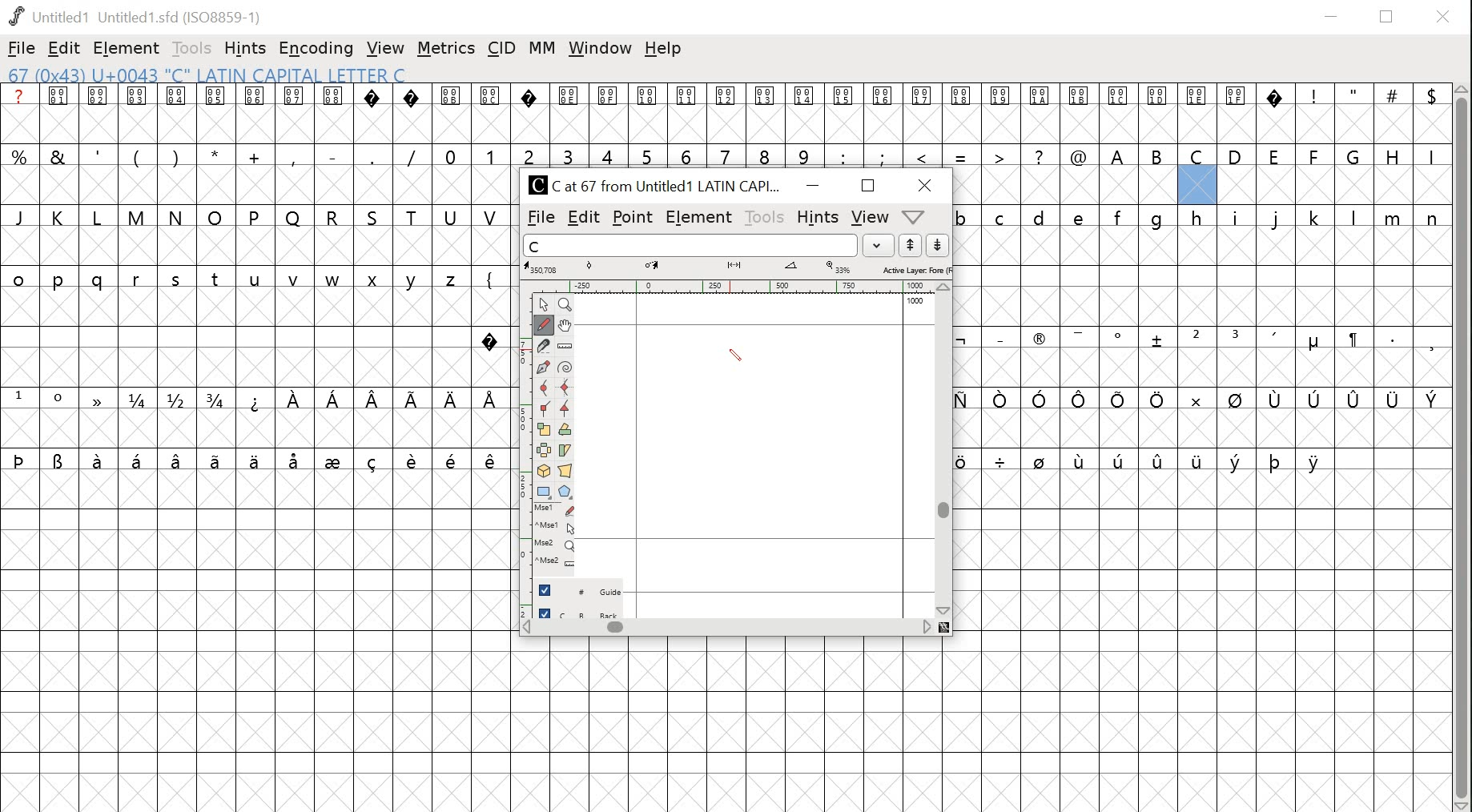 The image size is (1472, 812). I want to click on pan, so click(566, 326).